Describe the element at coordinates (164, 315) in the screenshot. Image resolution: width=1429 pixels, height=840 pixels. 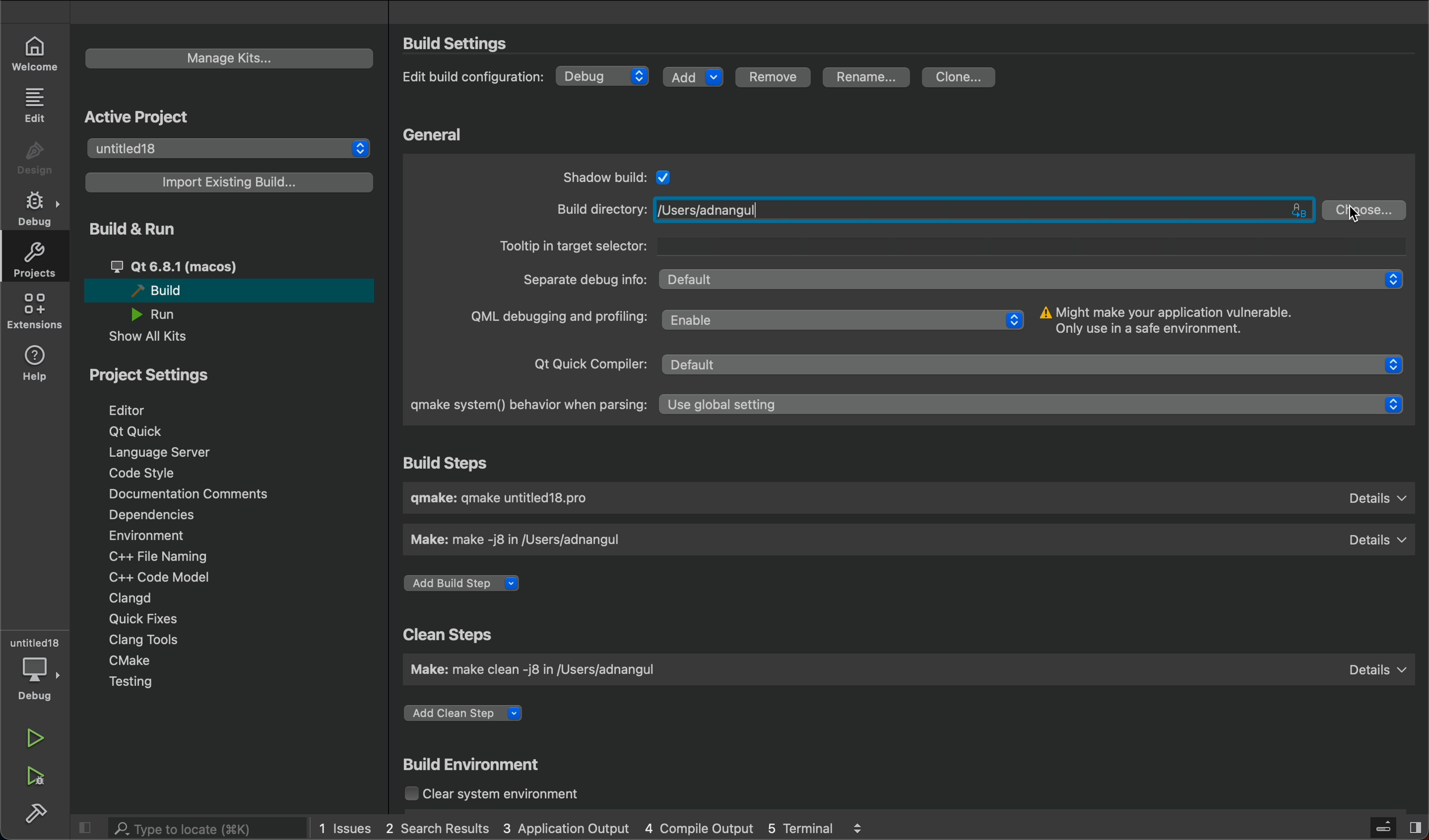
I see `run` at that location.